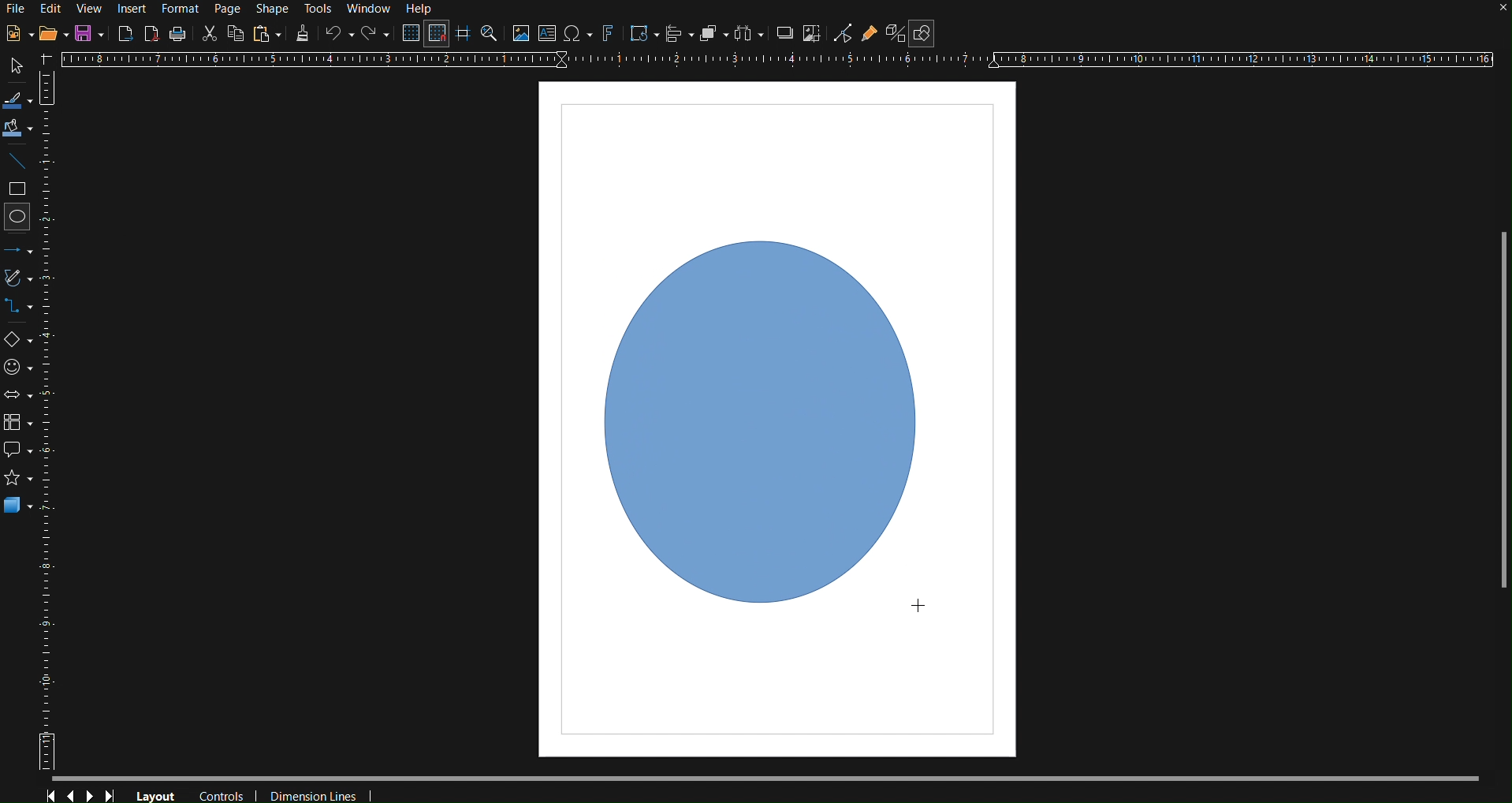  I want to click on Help, so click(423, 9).